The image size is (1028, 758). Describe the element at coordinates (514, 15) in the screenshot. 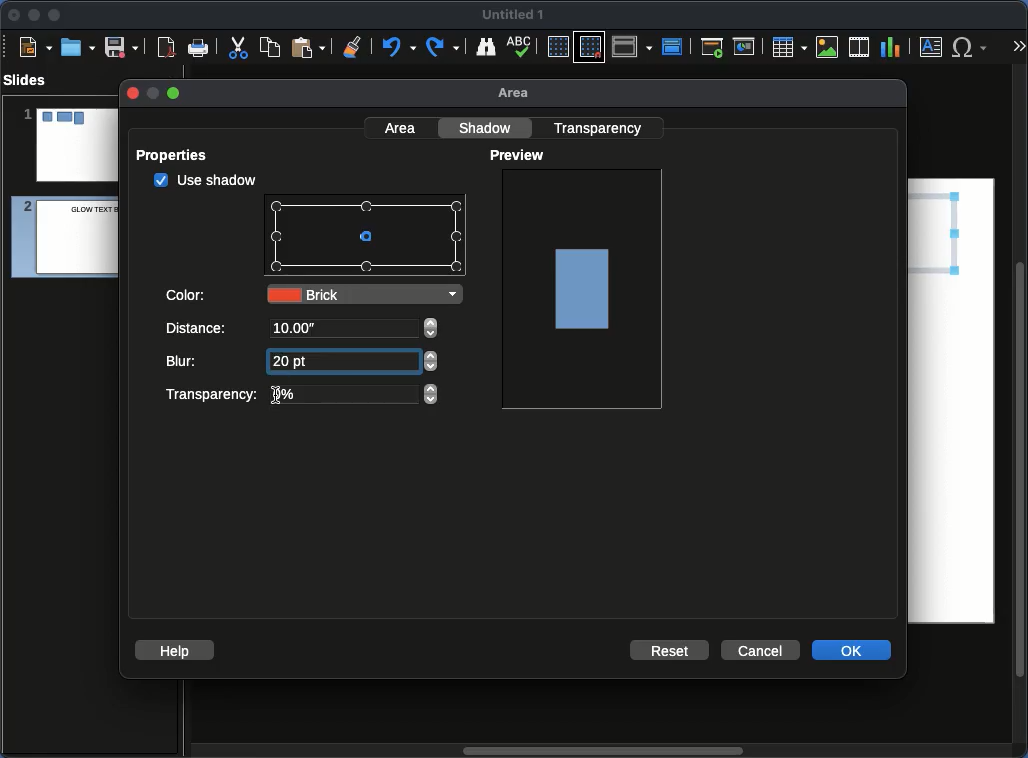

I see `Name` at that location.